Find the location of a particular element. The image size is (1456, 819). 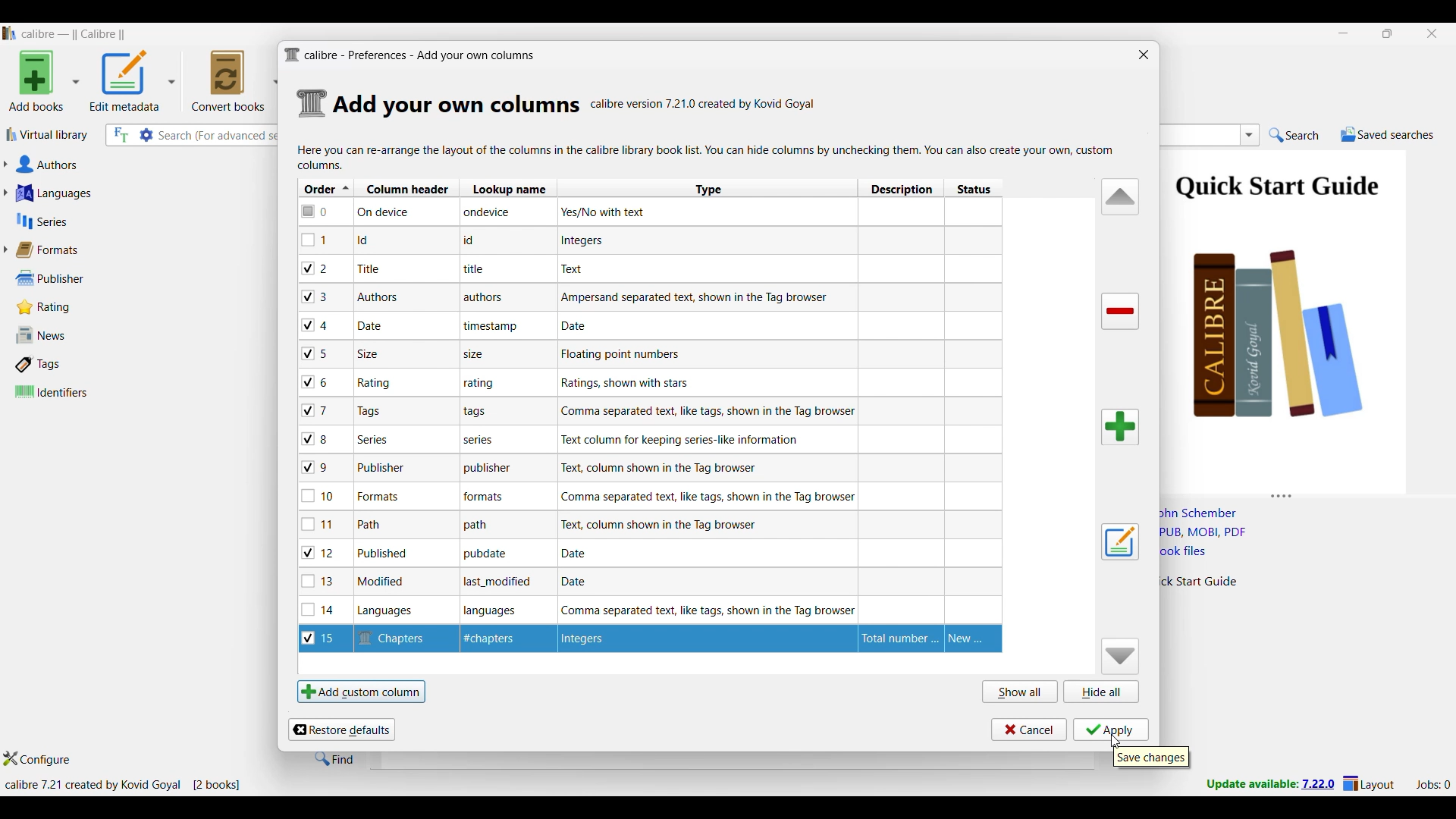

note is located at coordinates (502, 584).